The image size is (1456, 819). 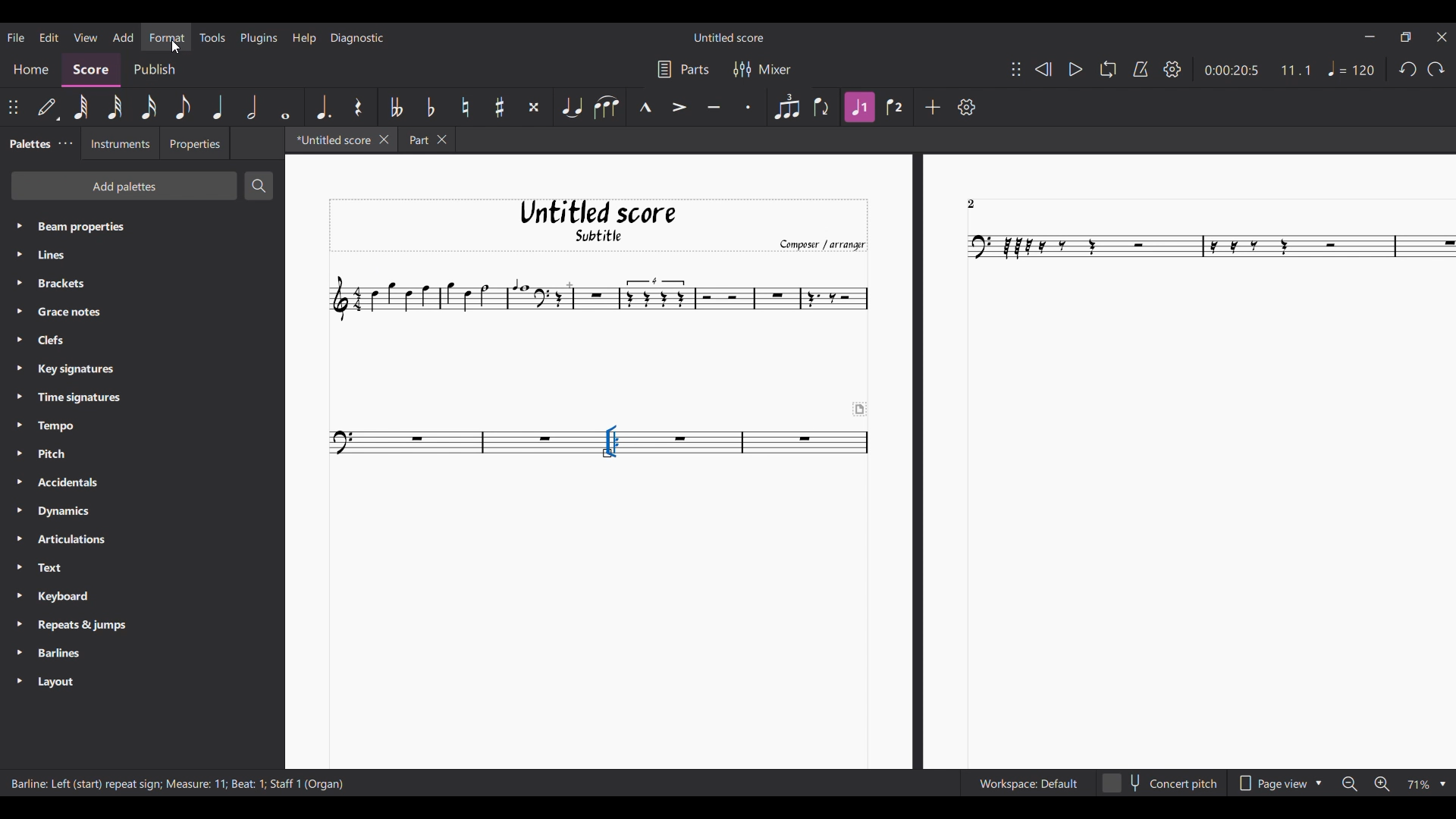 What do you see at coordinates (384, 140) in the screenshot?
I see `Close tab` at bounding box center [384, 140].